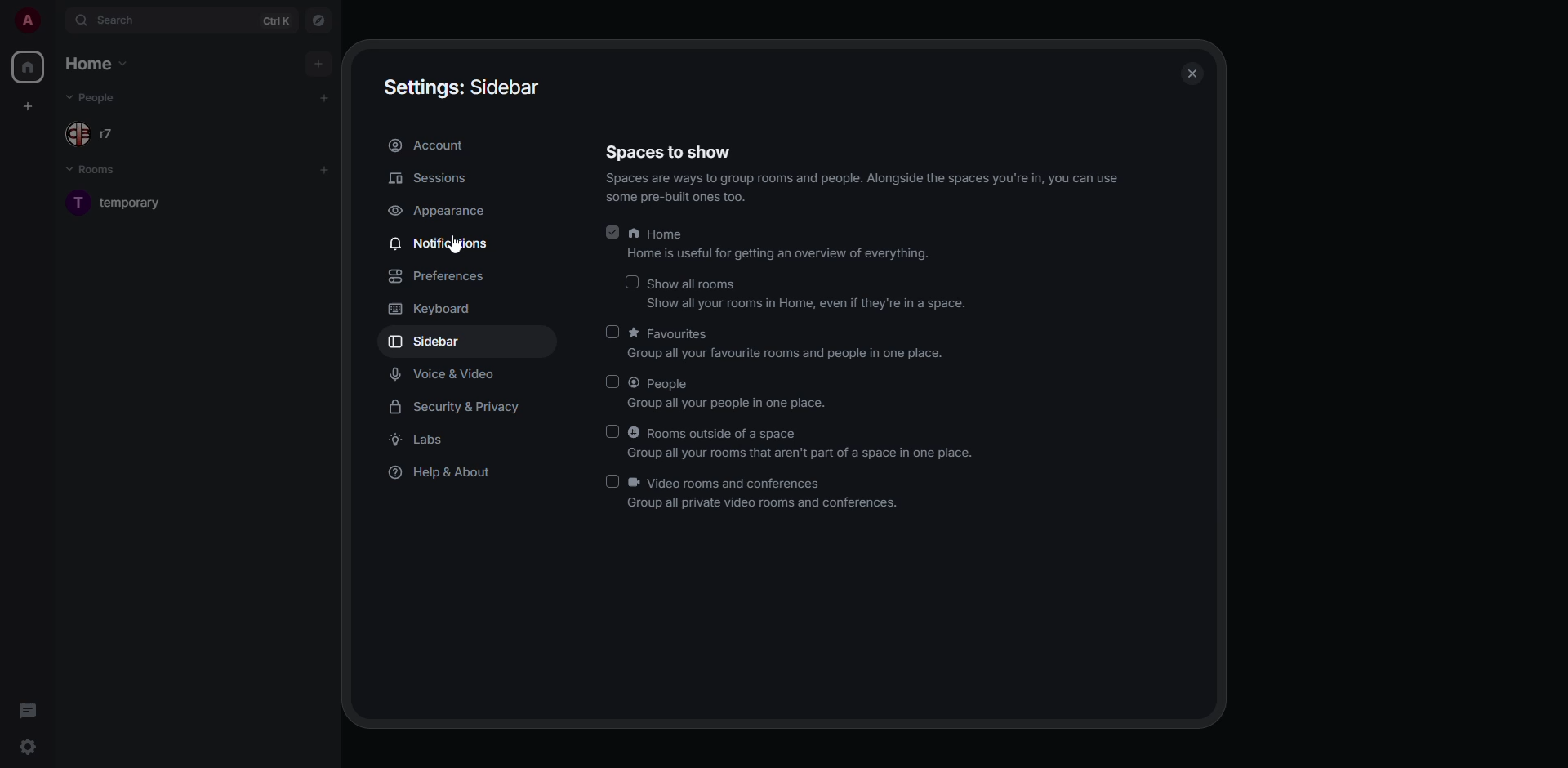  I want to click on people, so click(95, 136).